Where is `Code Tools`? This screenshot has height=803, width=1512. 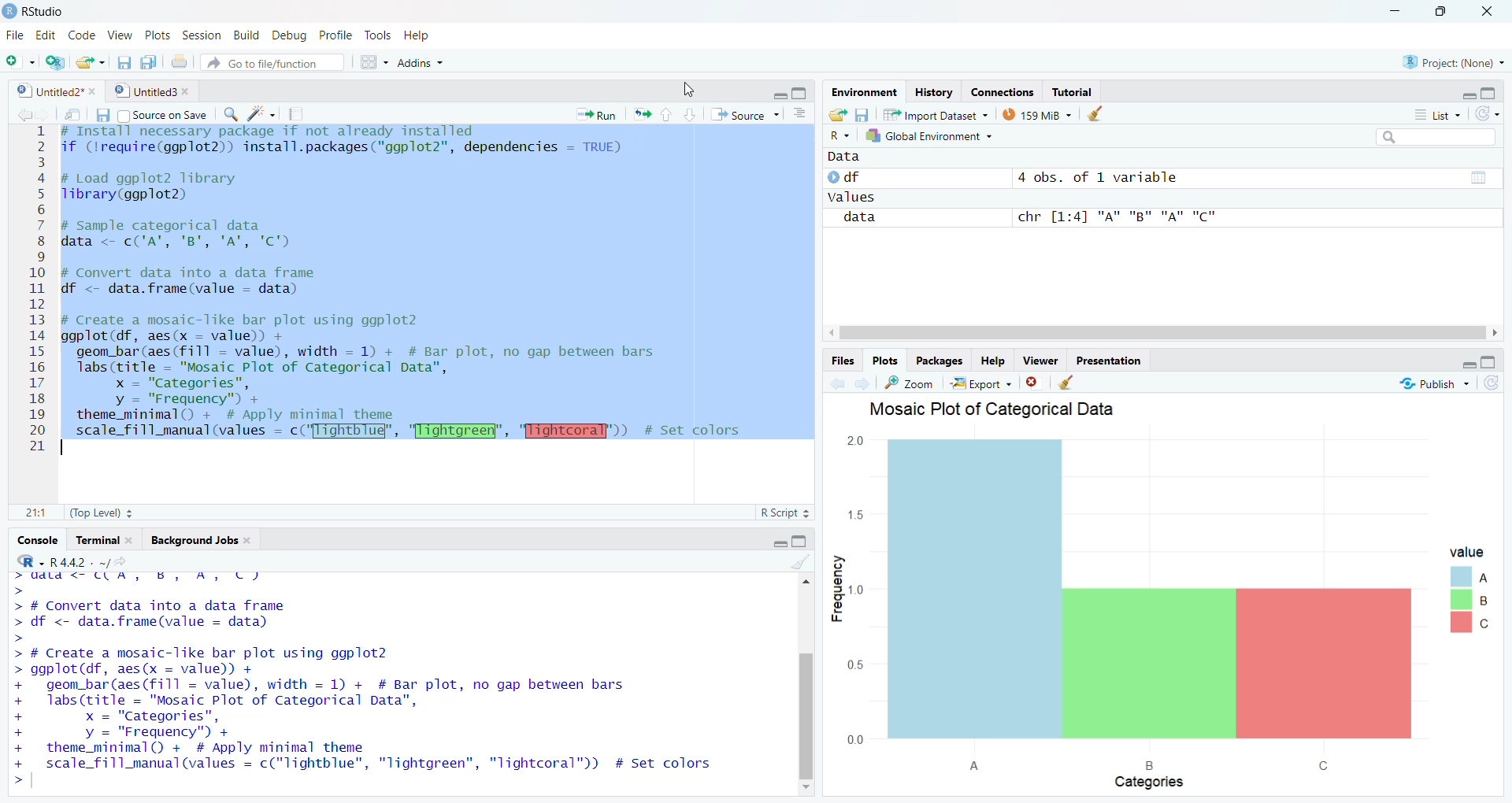
Code Tools is located at coordinates (261, 115).